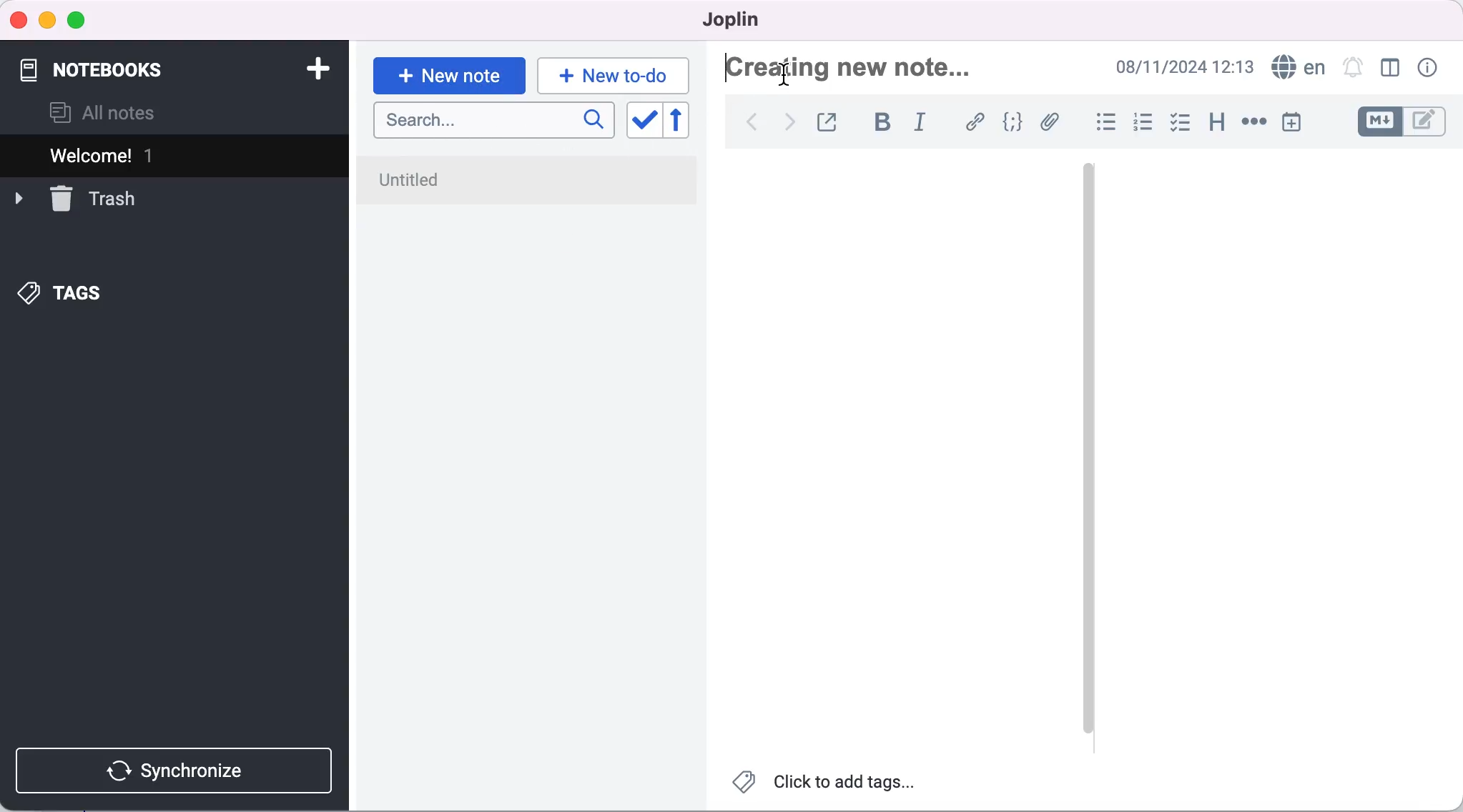 The height and width of the screenshot is (812, 1463). I want to click on heading, so click(1218, 123).